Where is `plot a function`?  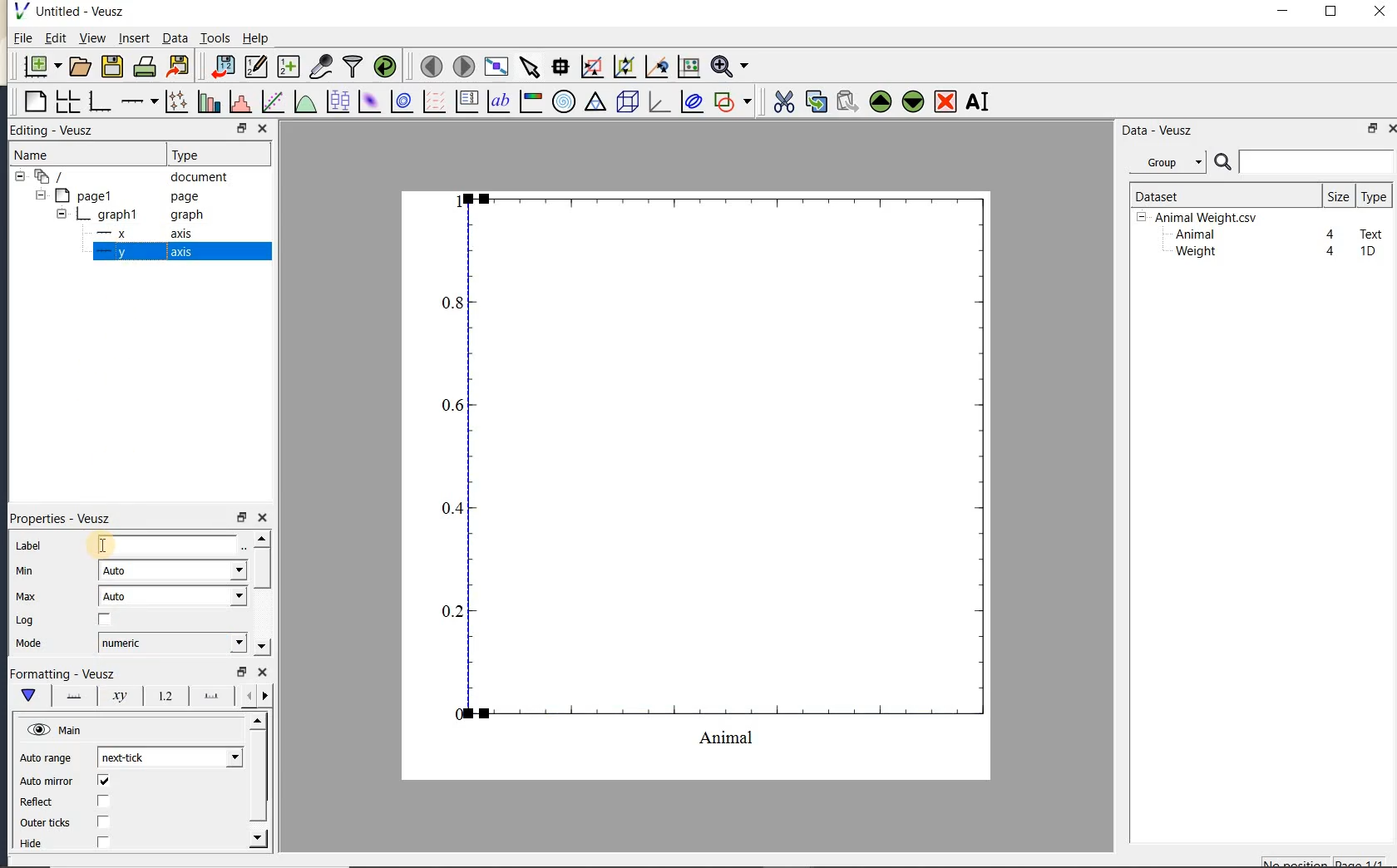
plot a function is located at coordinates (304, 104).